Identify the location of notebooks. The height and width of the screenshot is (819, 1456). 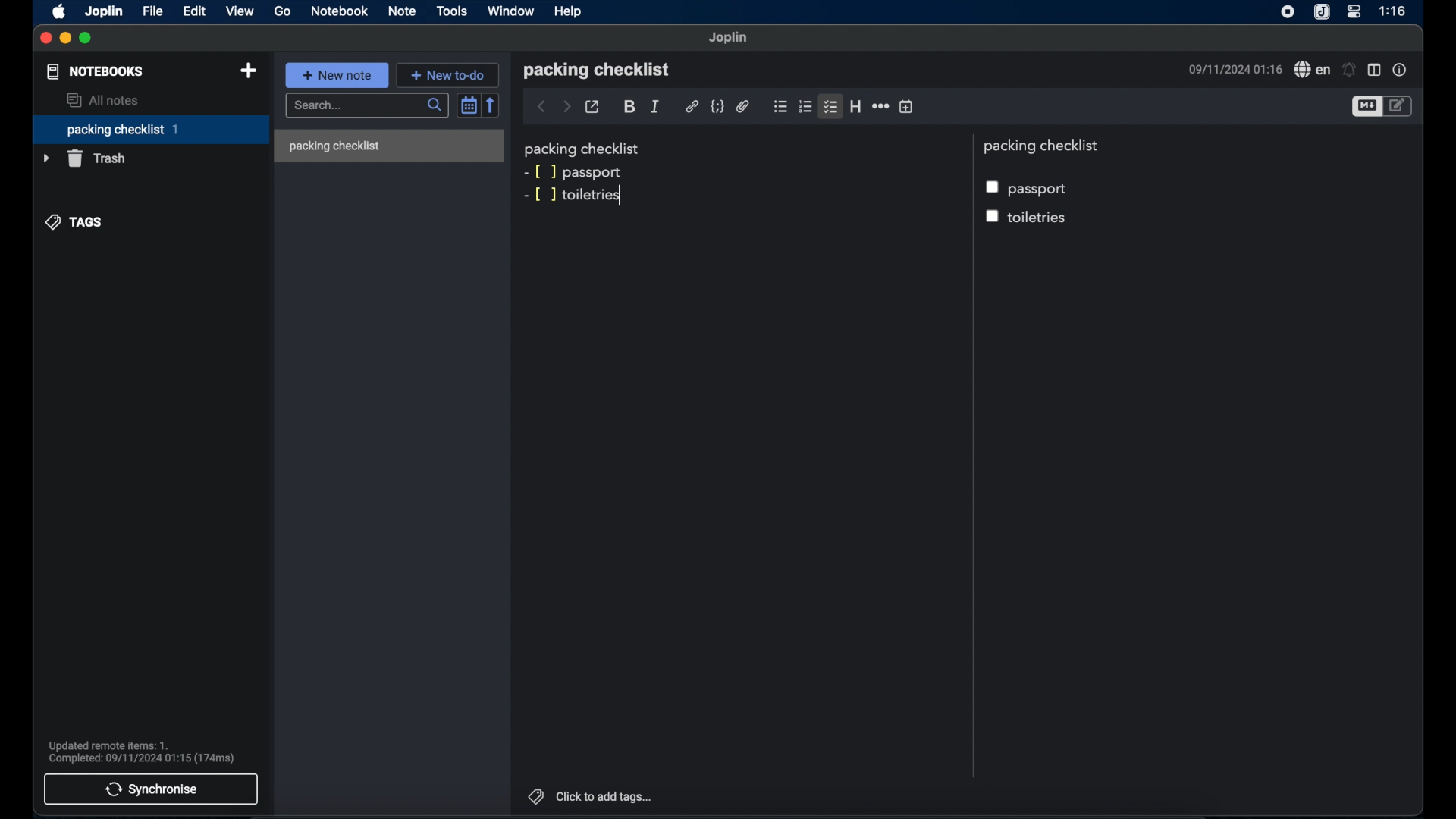
(95, 71).